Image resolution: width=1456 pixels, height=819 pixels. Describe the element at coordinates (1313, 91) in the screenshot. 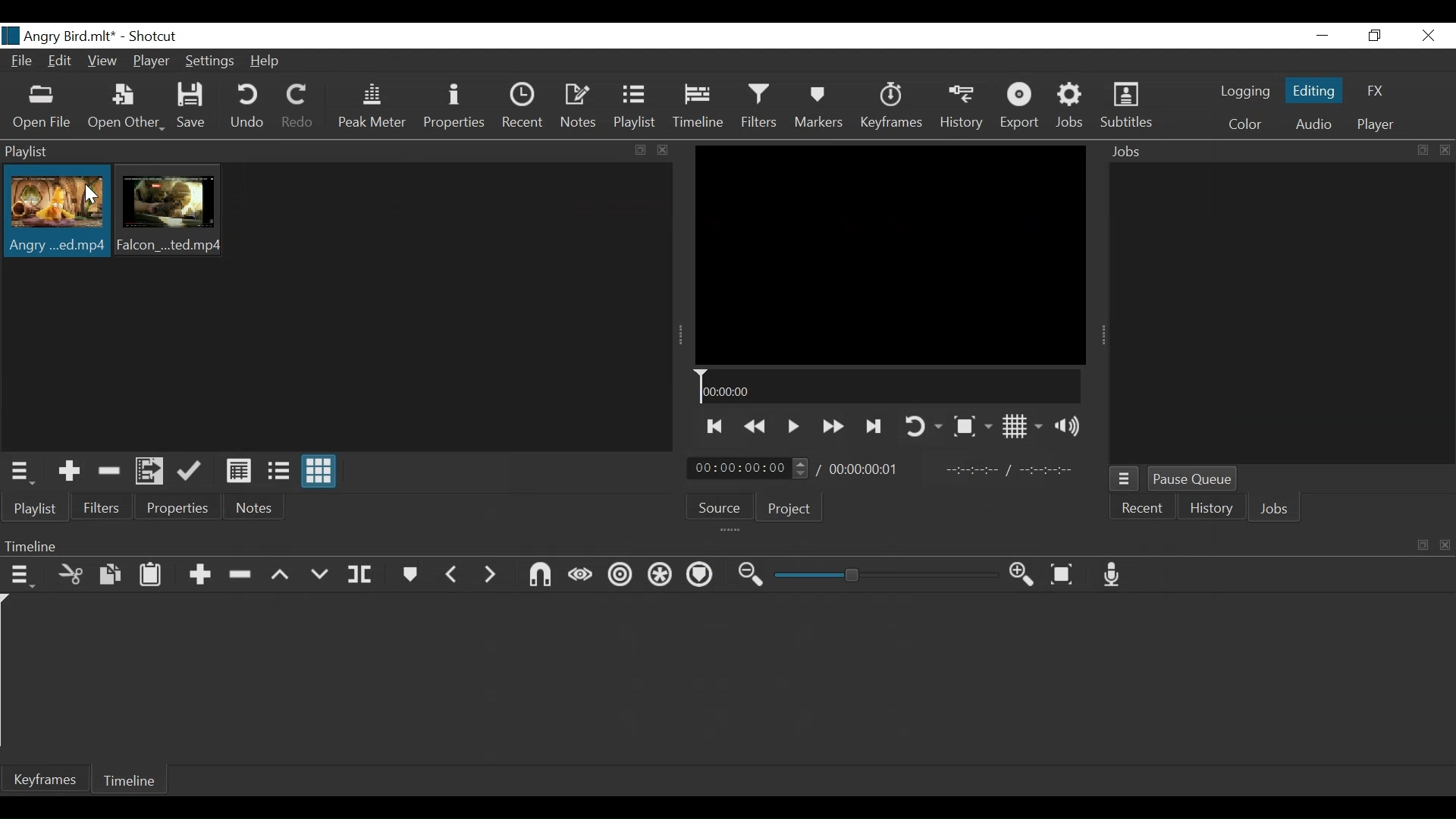

I see `Editing` at that location.